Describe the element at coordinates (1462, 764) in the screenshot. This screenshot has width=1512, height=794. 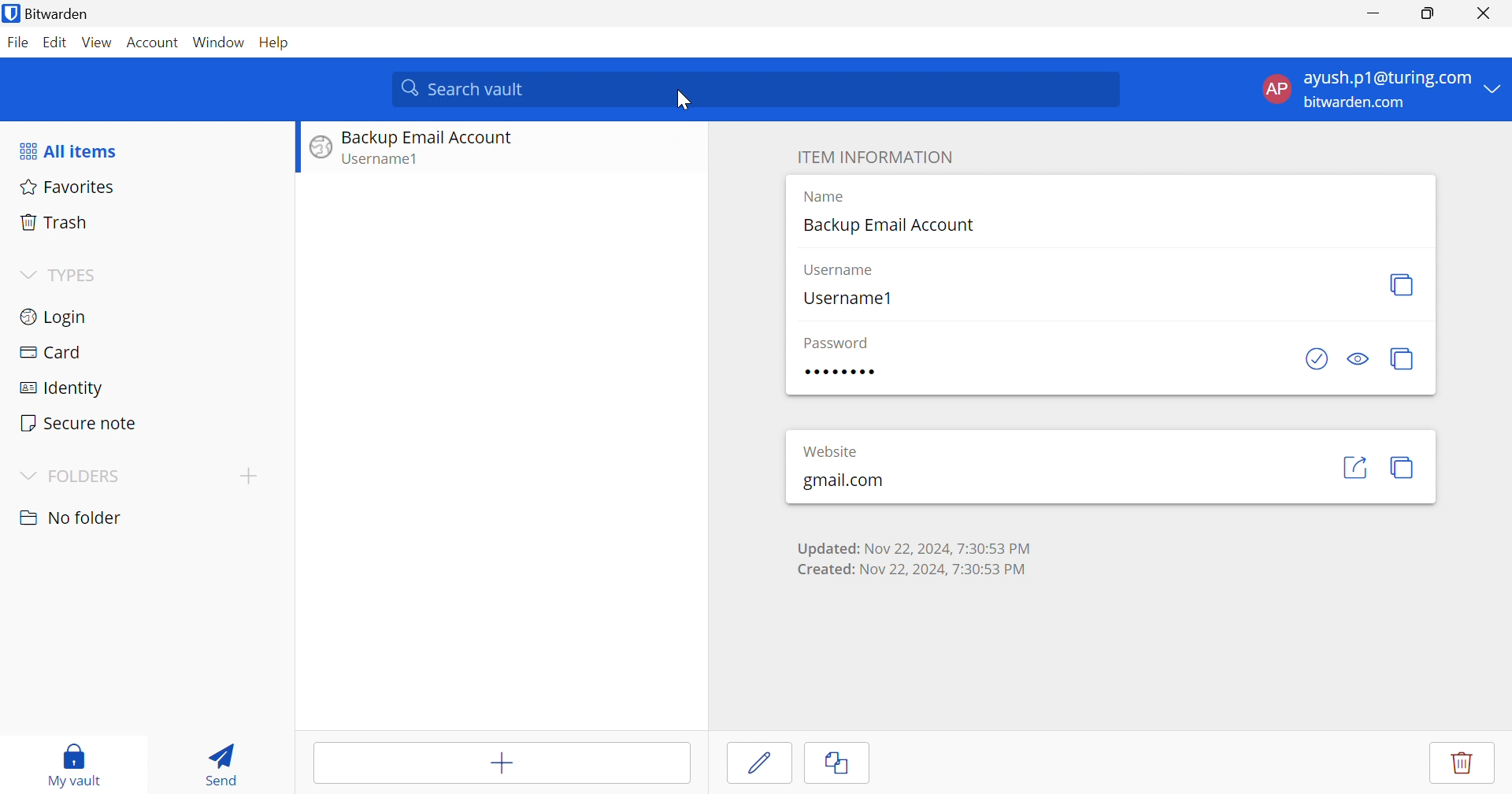
I see `delete` at that location.